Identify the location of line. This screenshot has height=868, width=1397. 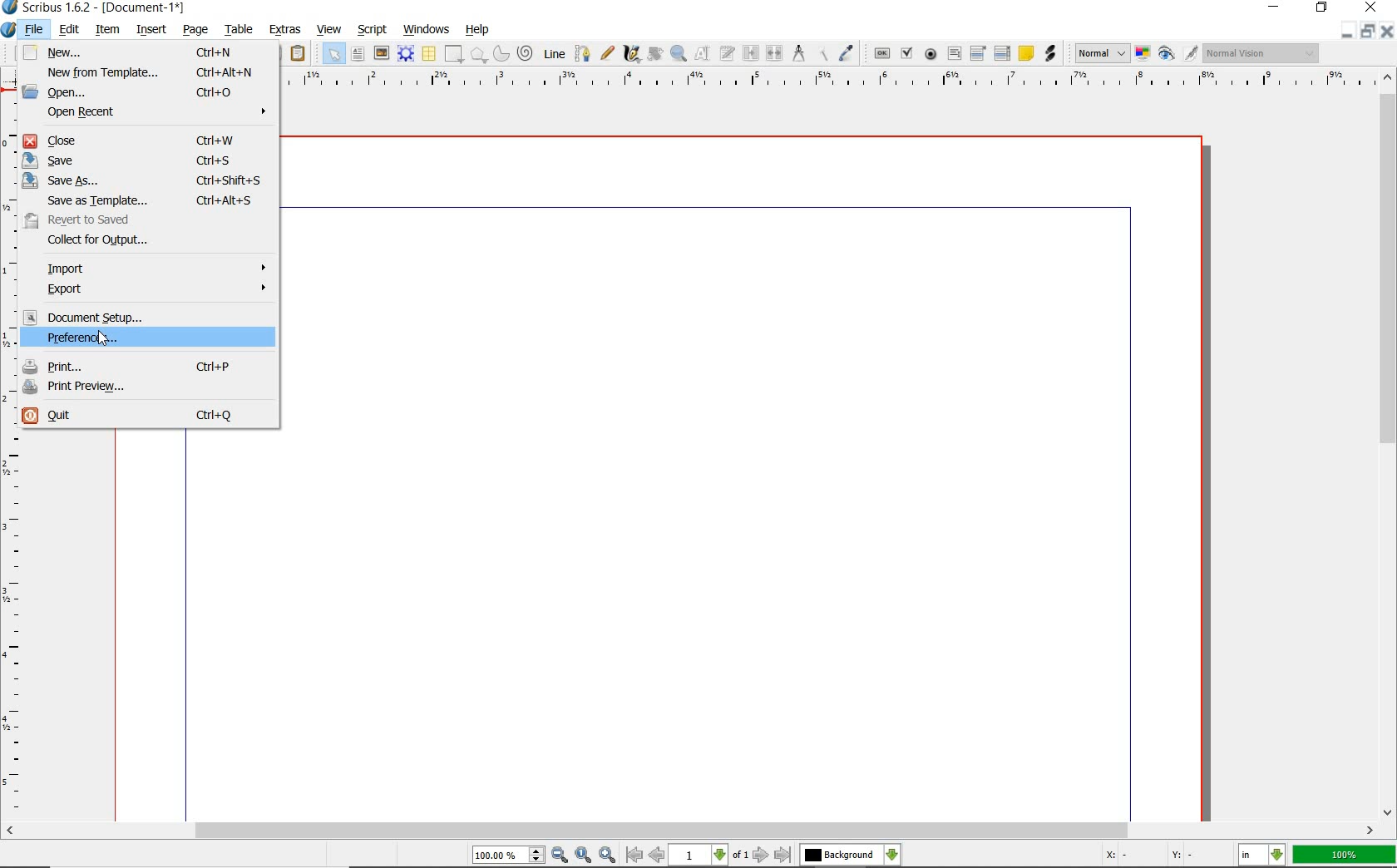
(555, 53).